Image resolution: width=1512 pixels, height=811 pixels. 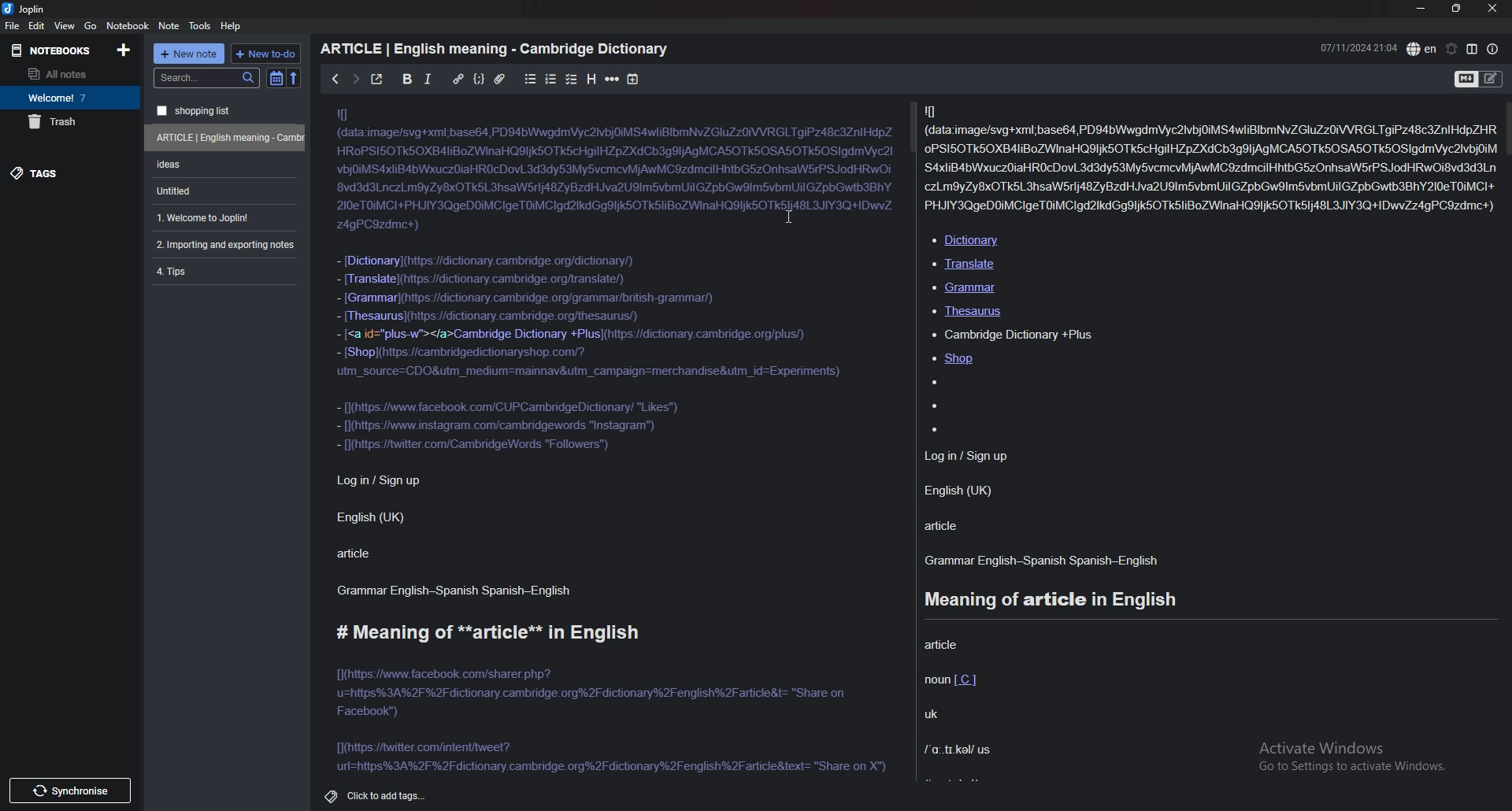 I want to click on spell check, so click(x=1422, y=49).